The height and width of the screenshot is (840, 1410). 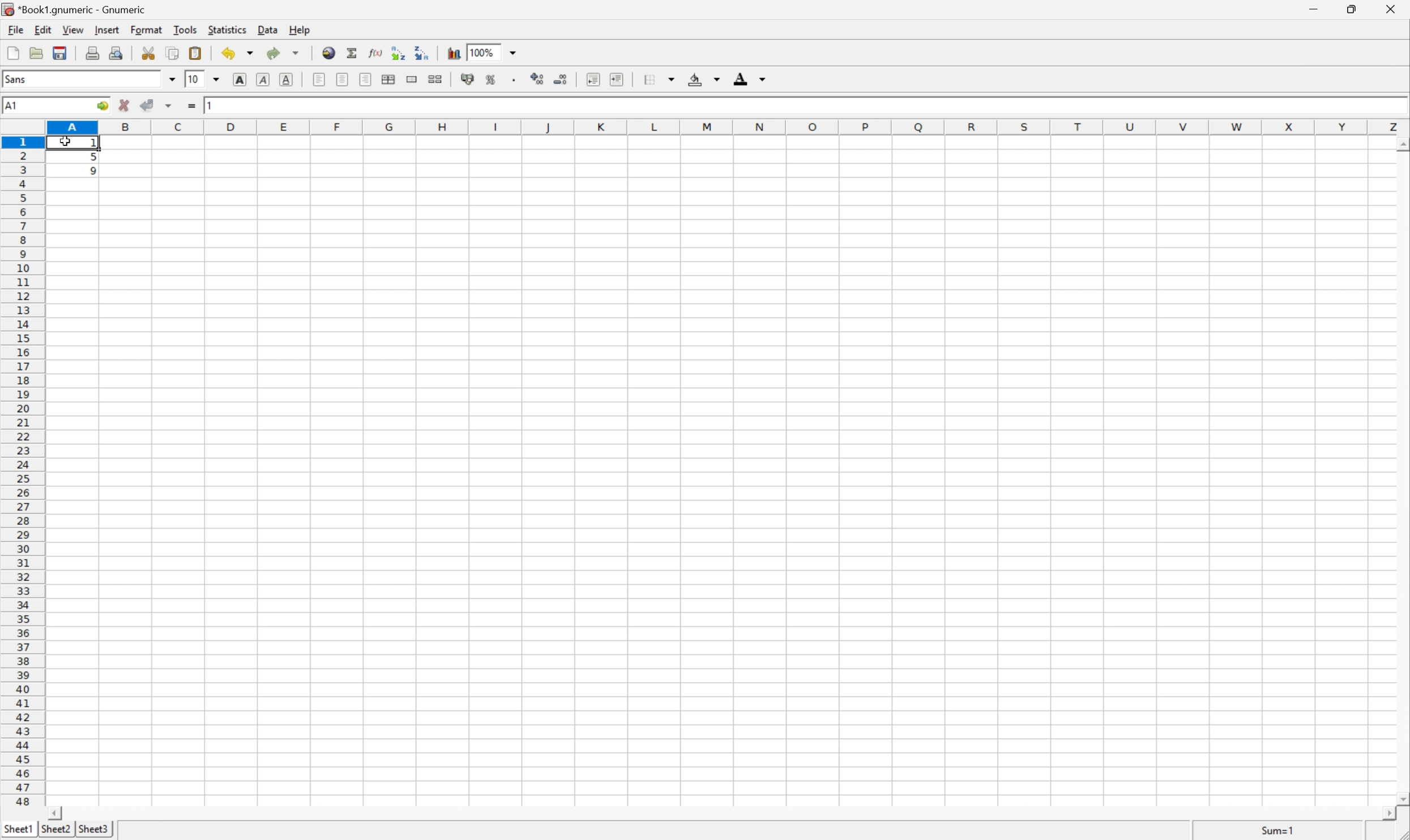 I want to click on 100%, so click(x=481, y=52).